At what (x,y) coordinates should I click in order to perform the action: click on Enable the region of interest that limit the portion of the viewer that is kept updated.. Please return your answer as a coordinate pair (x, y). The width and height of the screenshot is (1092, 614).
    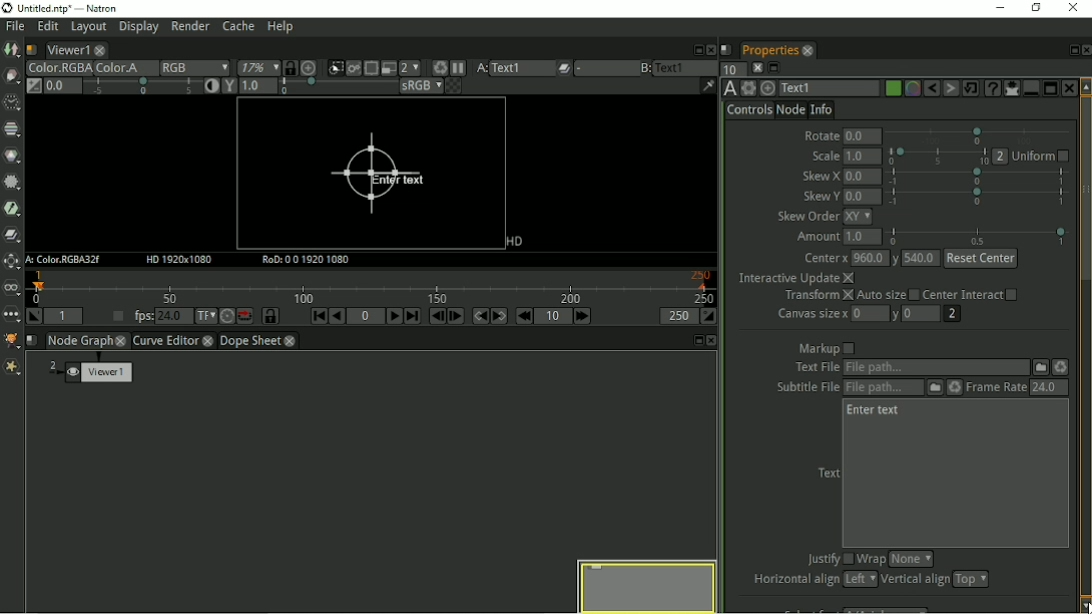
    Looking at the image, I should click on (371, 66).